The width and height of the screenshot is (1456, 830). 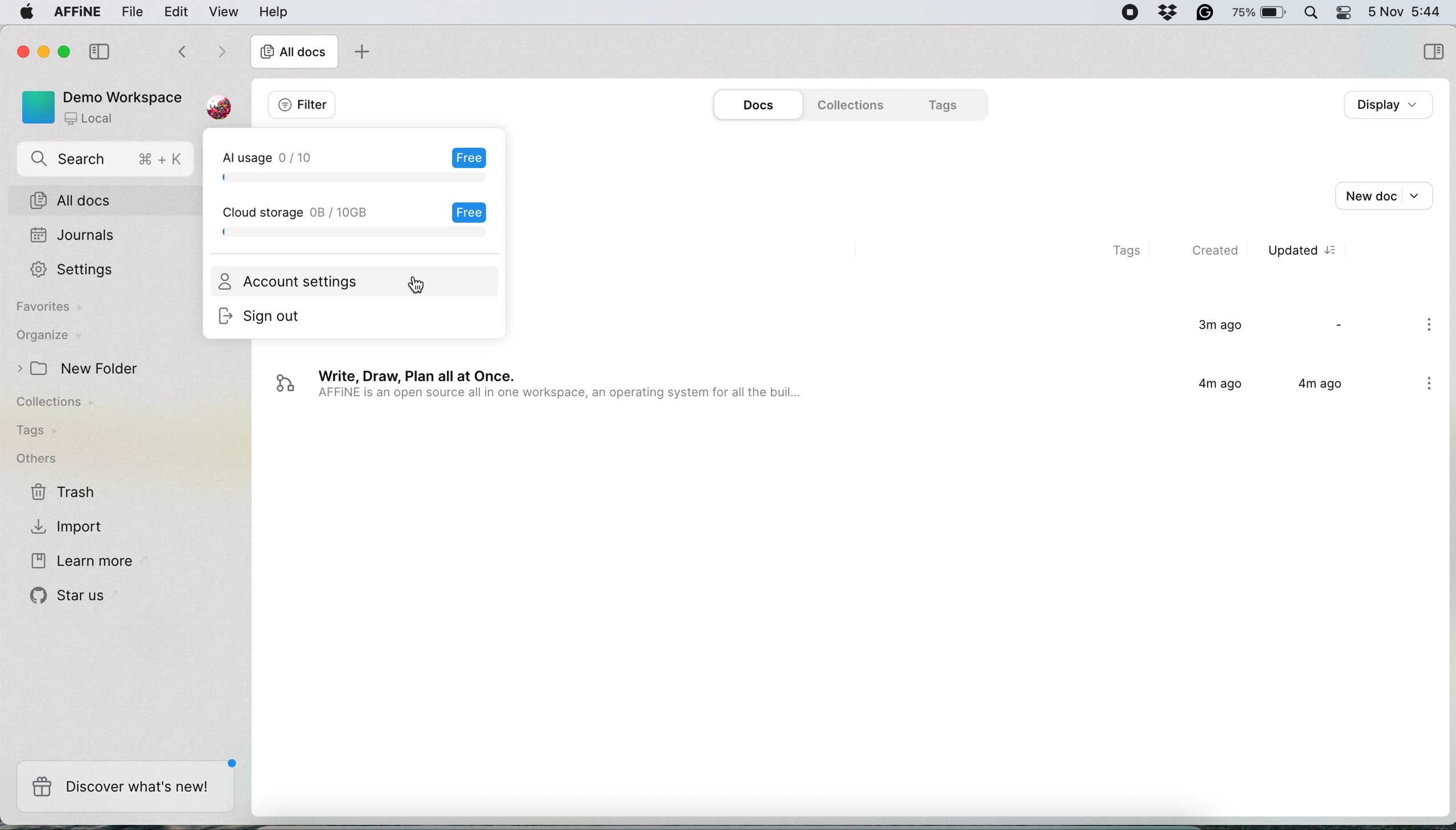 What do you see at coordinates (1310, 251) in the screenshot?
I see `updated` at bounding box center [1310, 251].